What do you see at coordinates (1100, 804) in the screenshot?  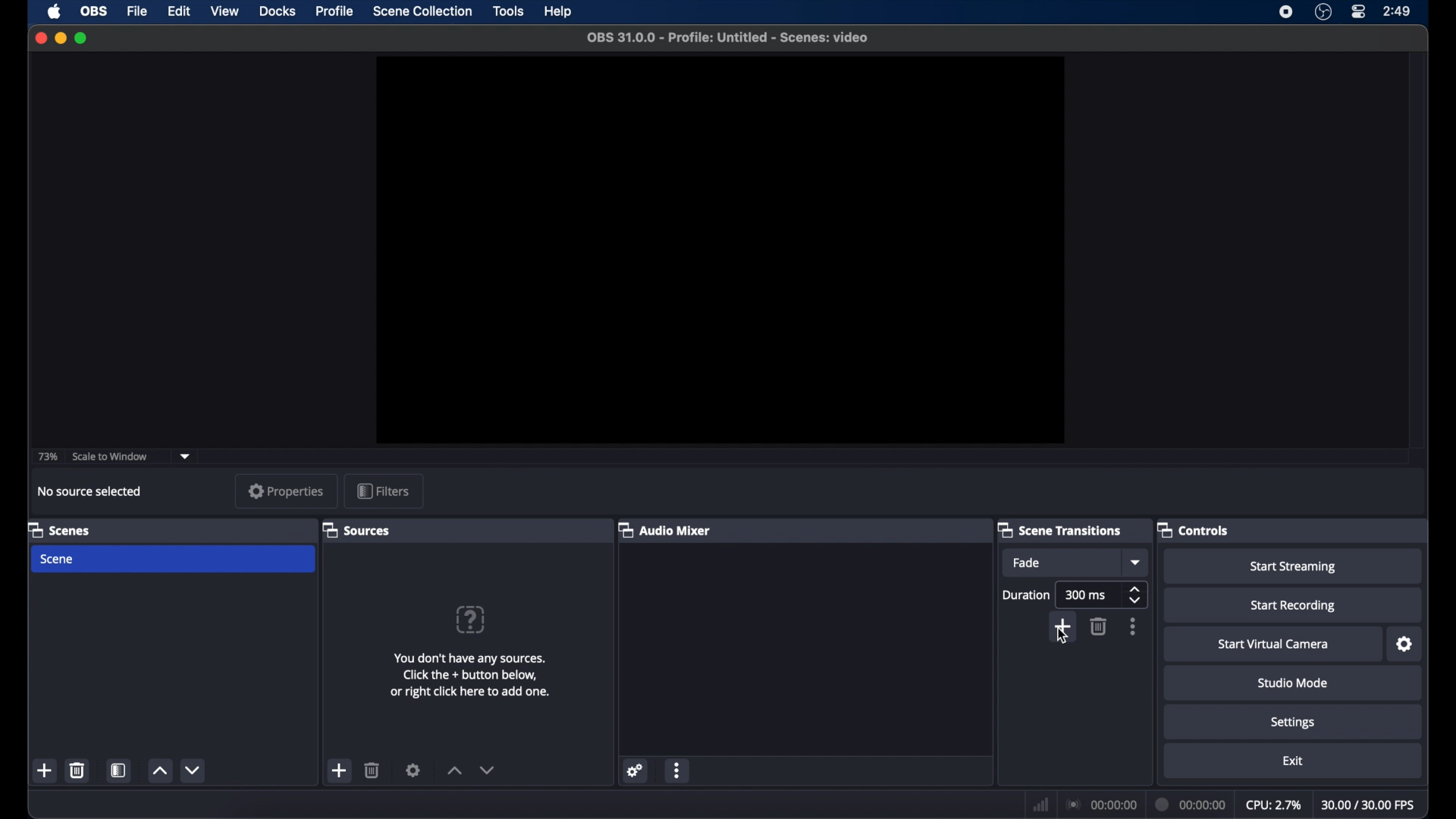 I see `connection` at bounding box center [1100, 804].